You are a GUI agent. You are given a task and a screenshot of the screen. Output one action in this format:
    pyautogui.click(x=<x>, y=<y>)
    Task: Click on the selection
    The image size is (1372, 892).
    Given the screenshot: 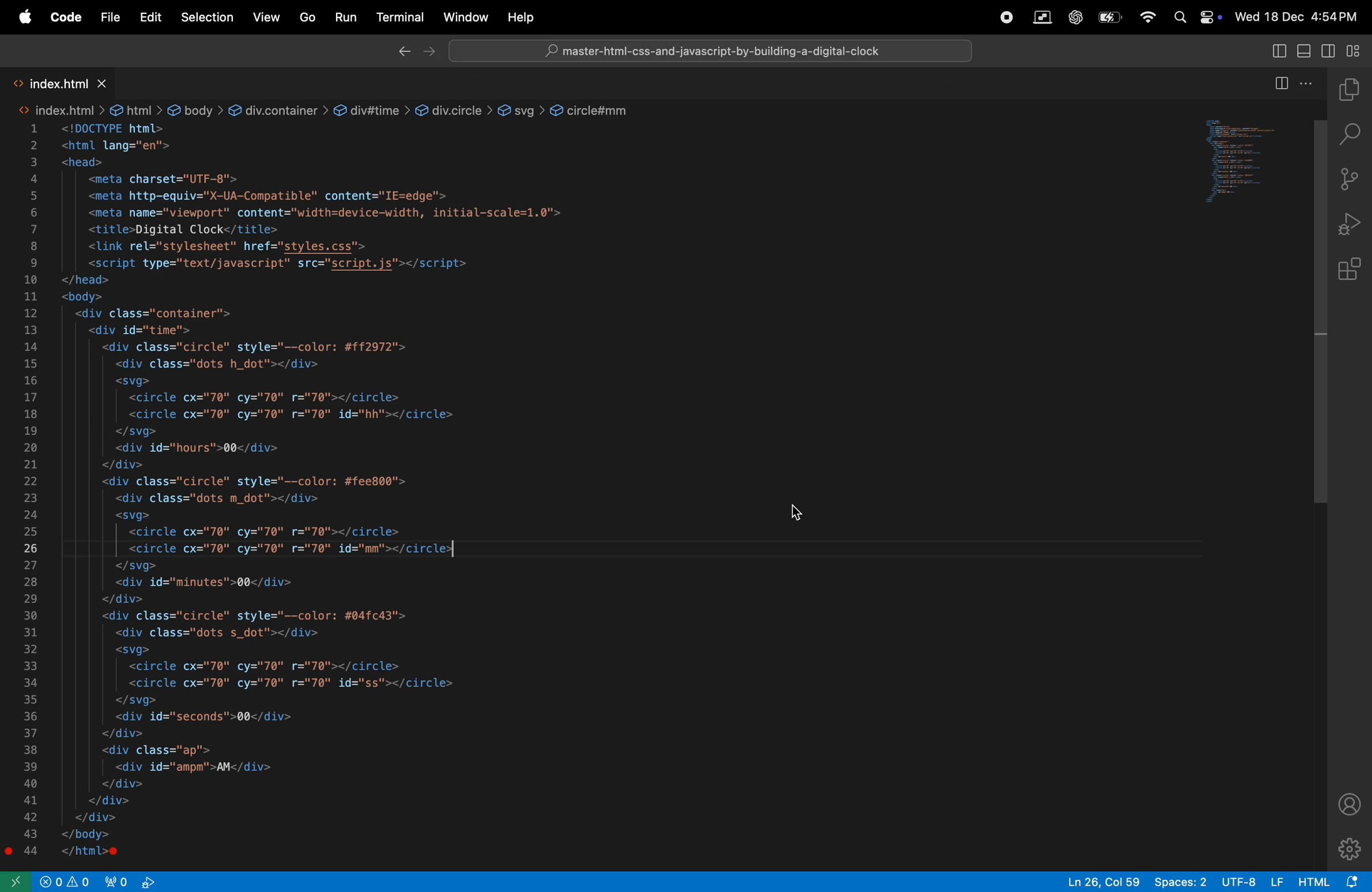 What is the action you would take?
    pyautogui.click(x=207, y=18)
    